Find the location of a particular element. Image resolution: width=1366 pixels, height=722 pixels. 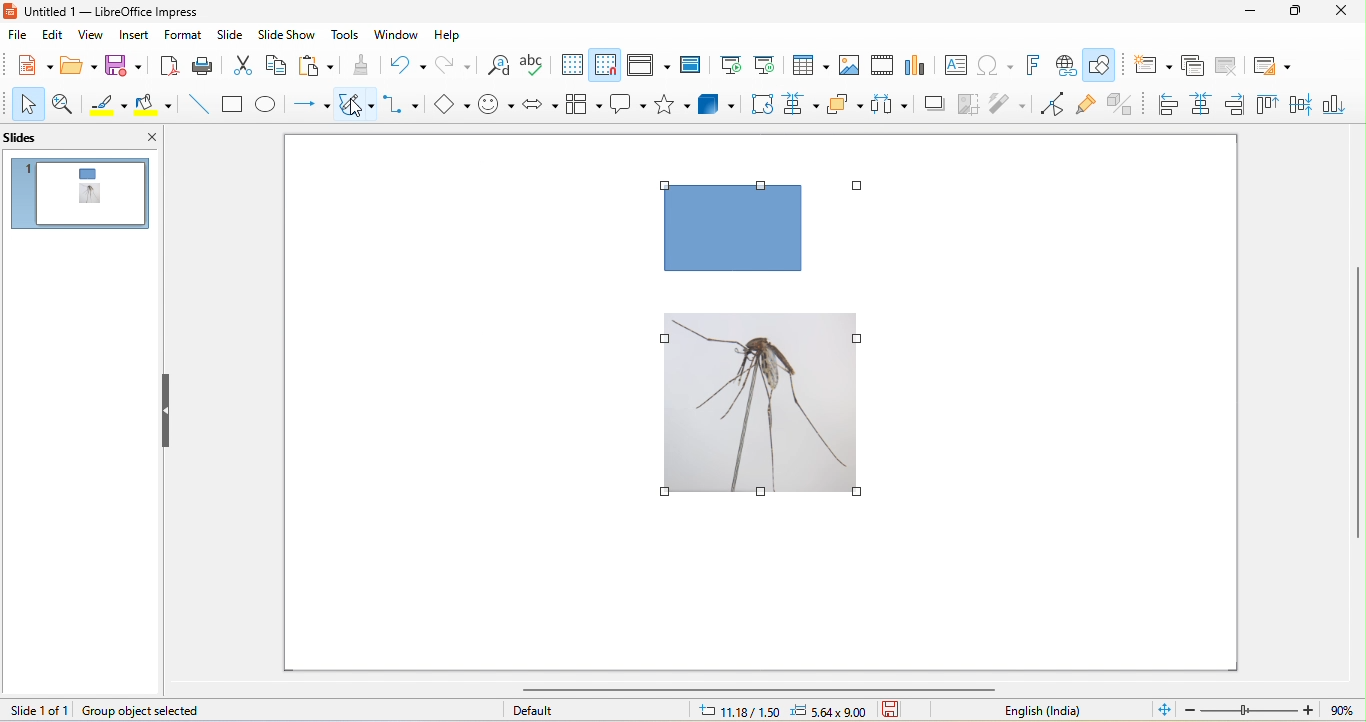

position changed to center is located at coordinates (757, 336).